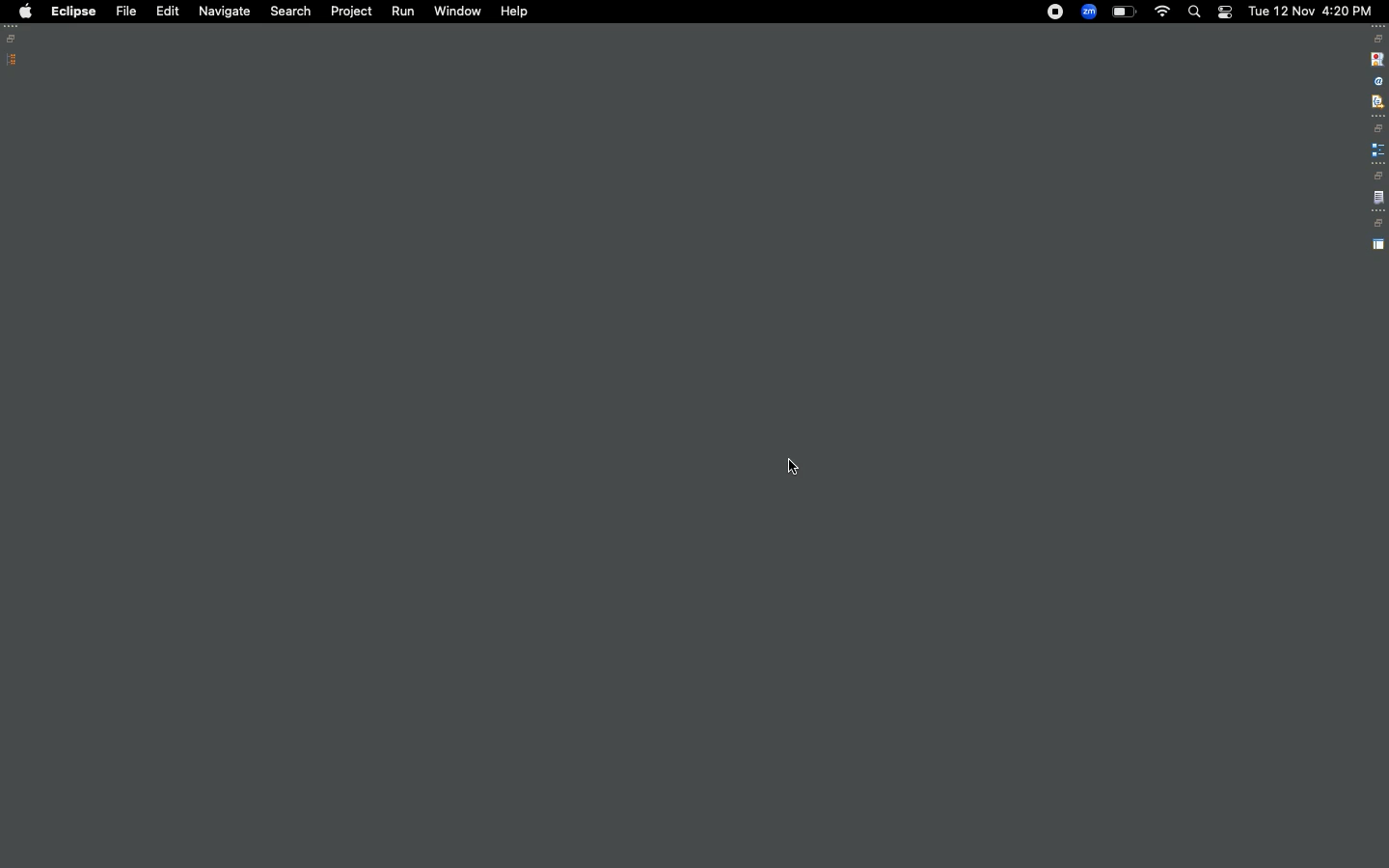 This screenshot has height=868, width=1389. What do you see at coordinates (1055, 14) in the screenshot?
I see `Recording` at bounding box center [1055, 14].